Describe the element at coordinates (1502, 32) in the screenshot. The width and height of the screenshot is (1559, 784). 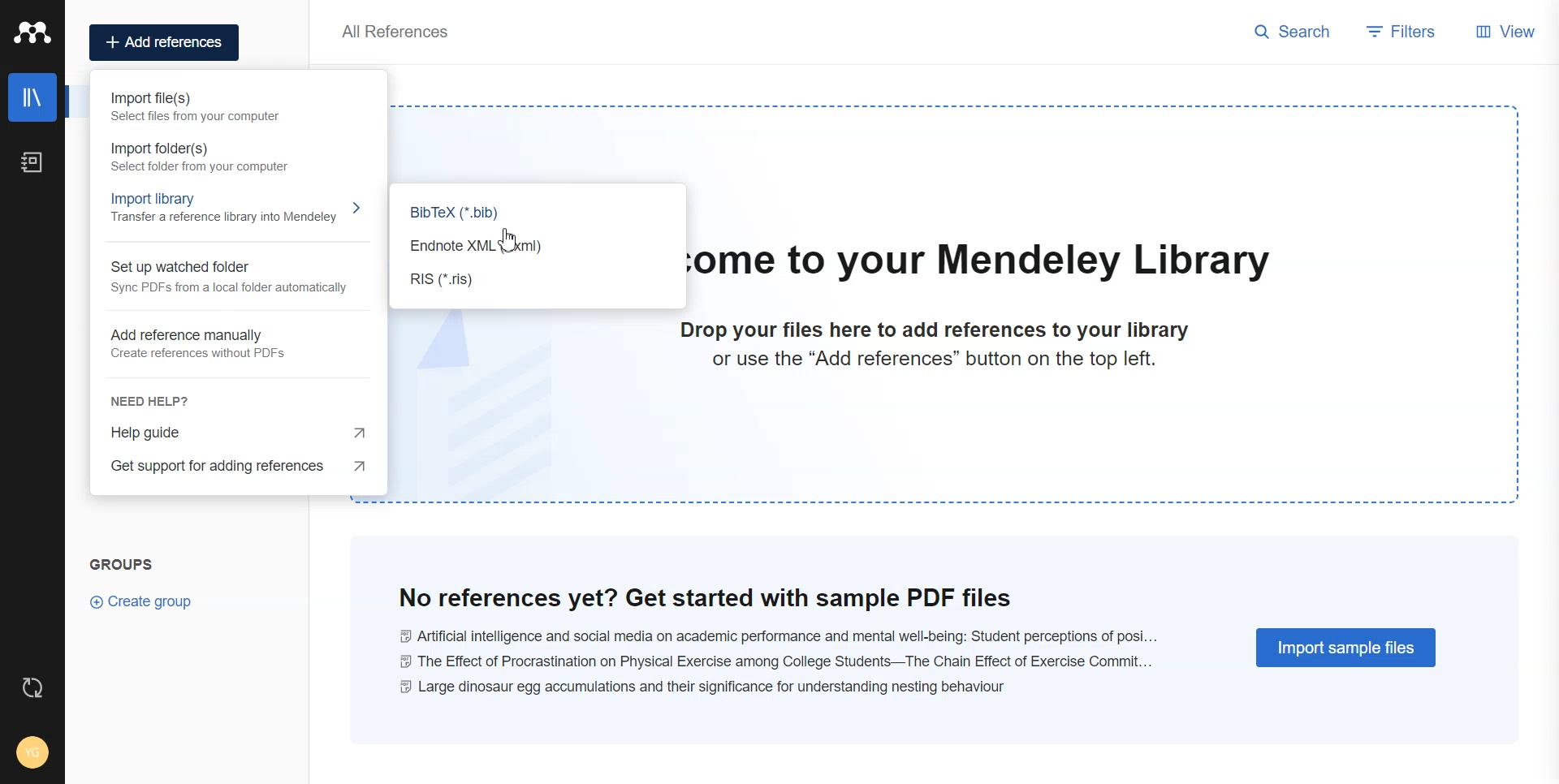
I see `View` at that location.